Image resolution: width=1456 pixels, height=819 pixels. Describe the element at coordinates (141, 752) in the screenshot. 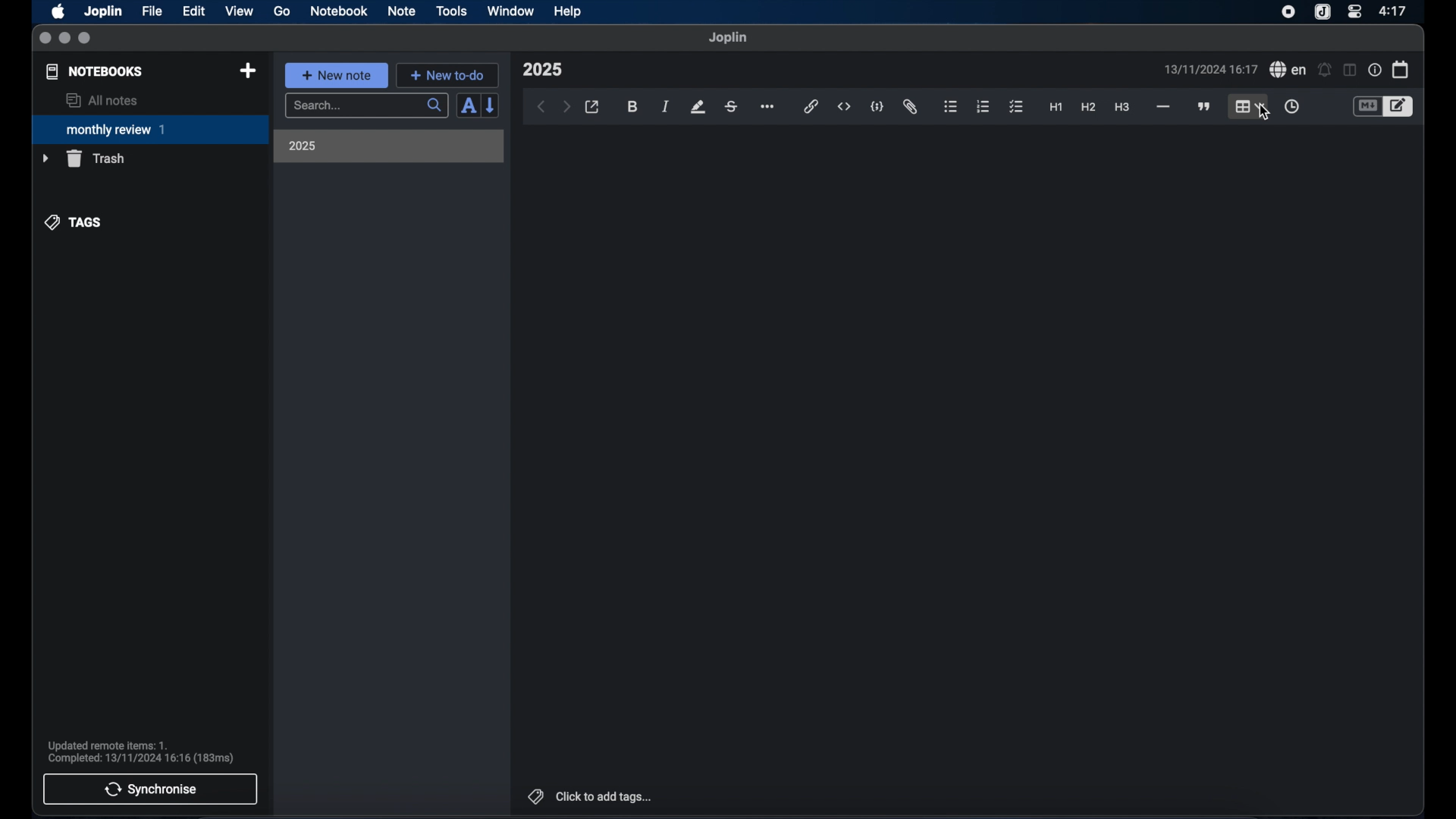

I see `sync notification` at that location.